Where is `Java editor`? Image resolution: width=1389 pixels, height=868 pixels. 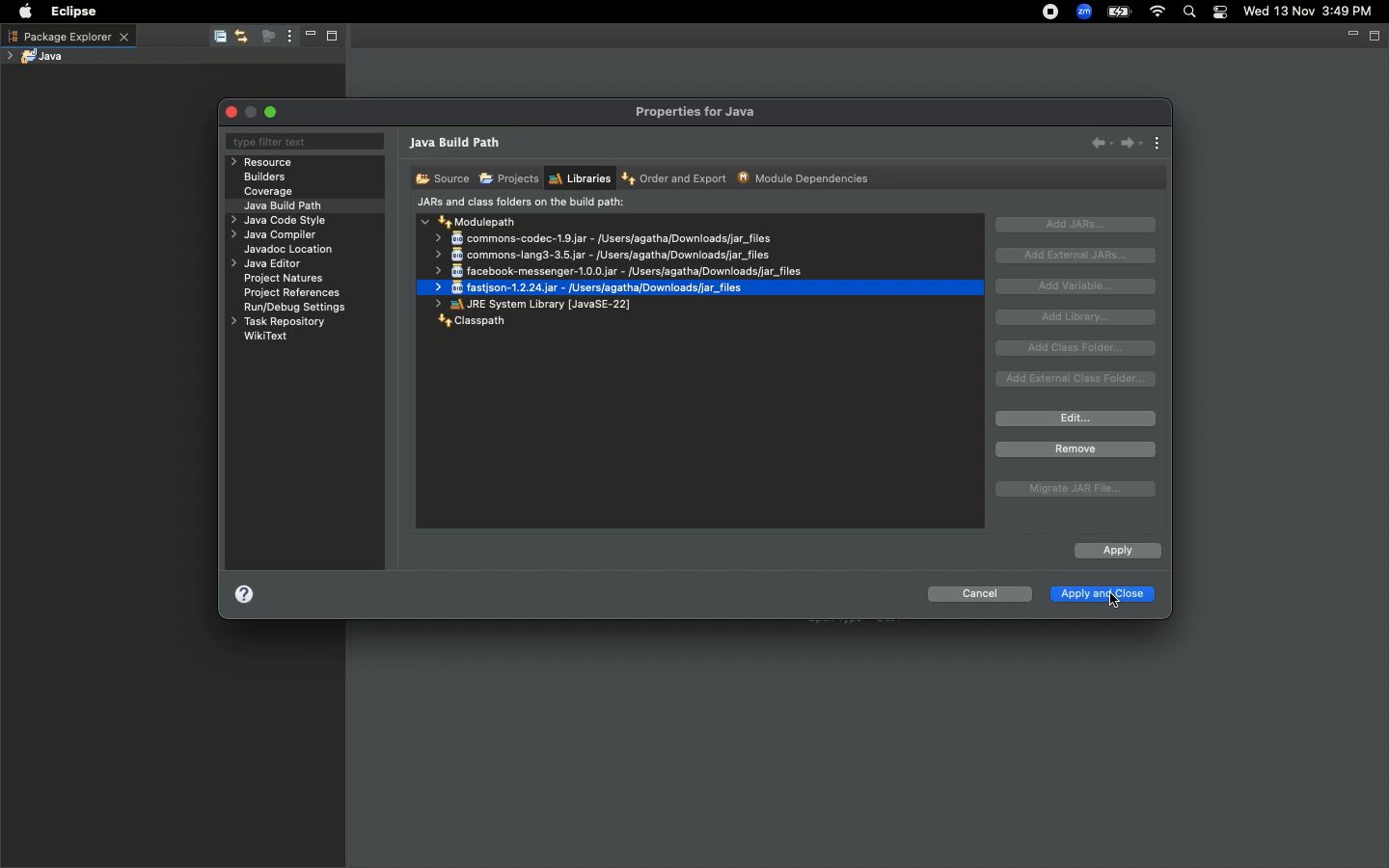 Java editor is located at coordinates (269, 264).